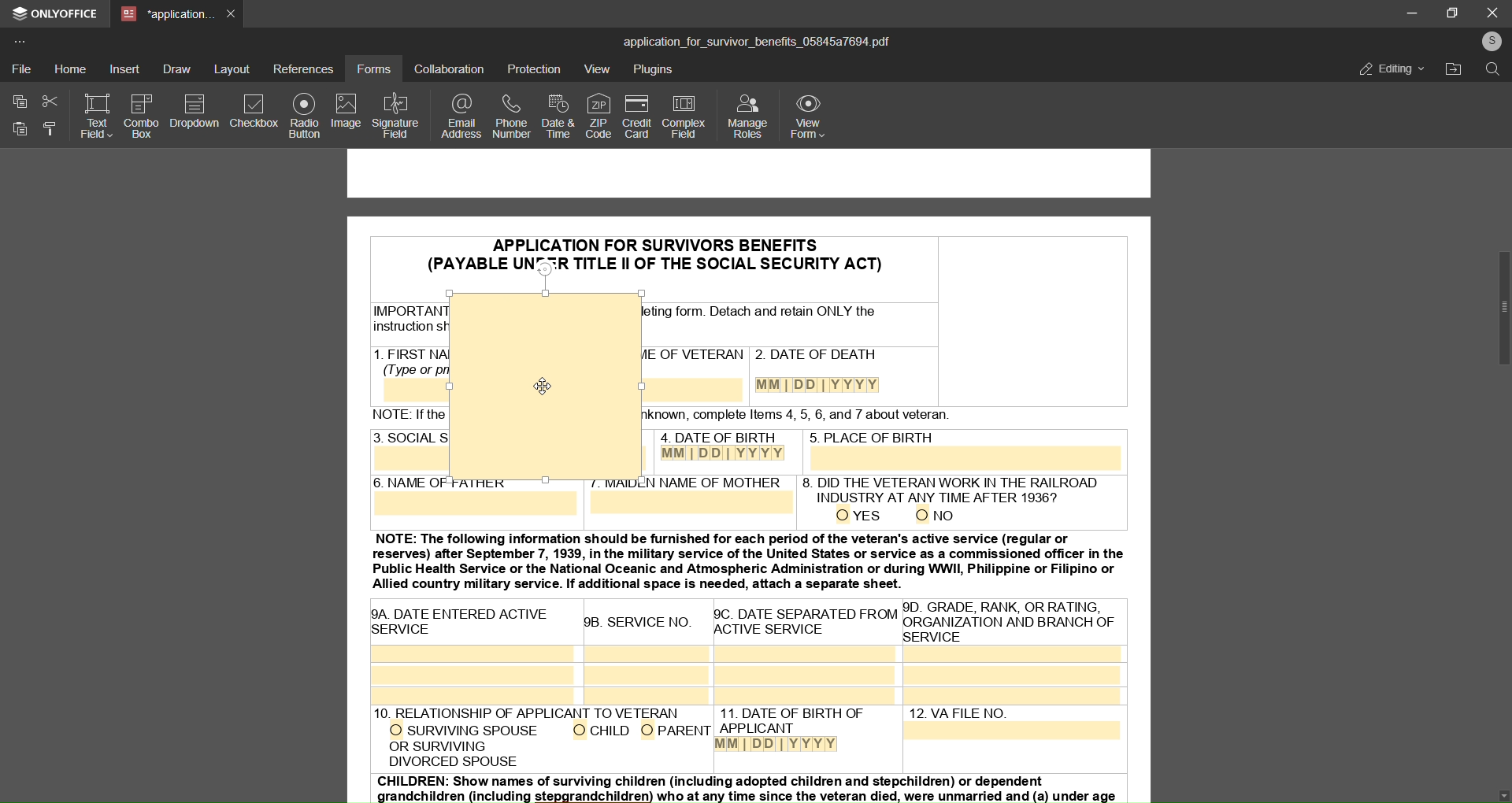 The image size is (1512, 803). What do you see at coordinates (23, 40) in the screenshot?
I see `more` at bounding box center [23, 40].